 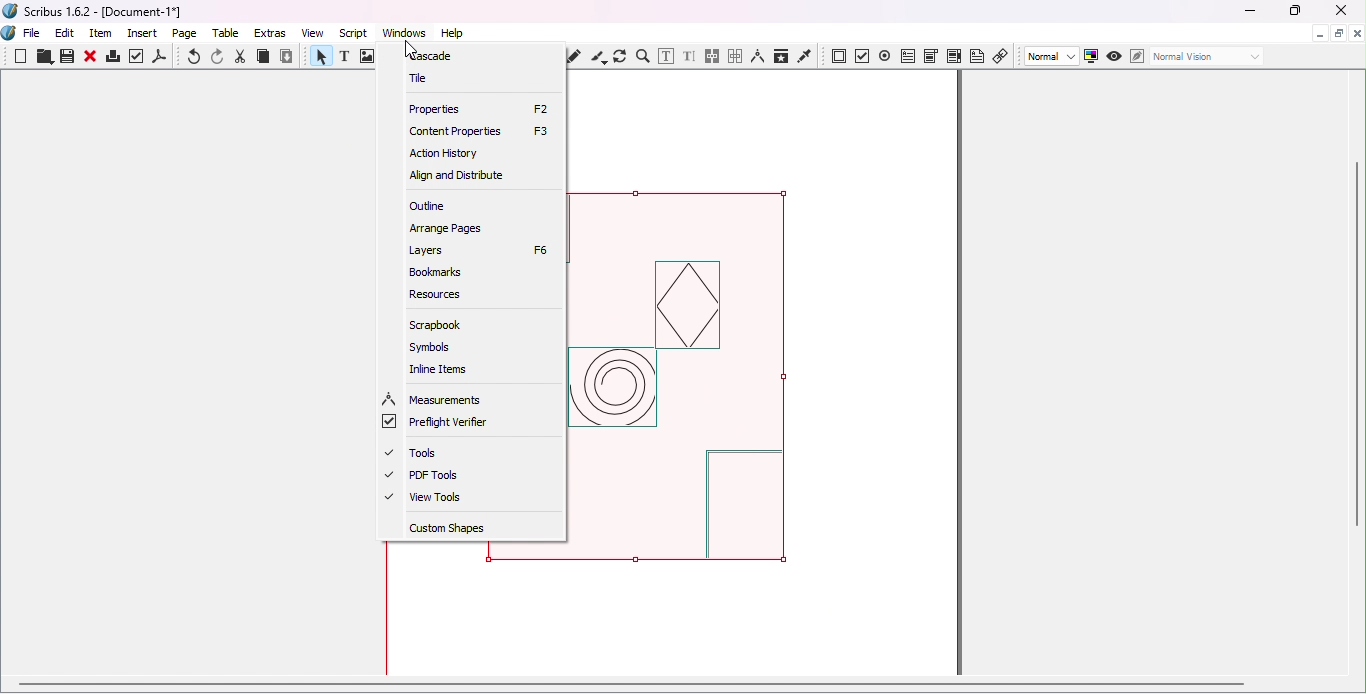 What do you see at coordinates (1115, 57) in the screenshot?
I see `Preview mode` at bounding box center [1115, 57].